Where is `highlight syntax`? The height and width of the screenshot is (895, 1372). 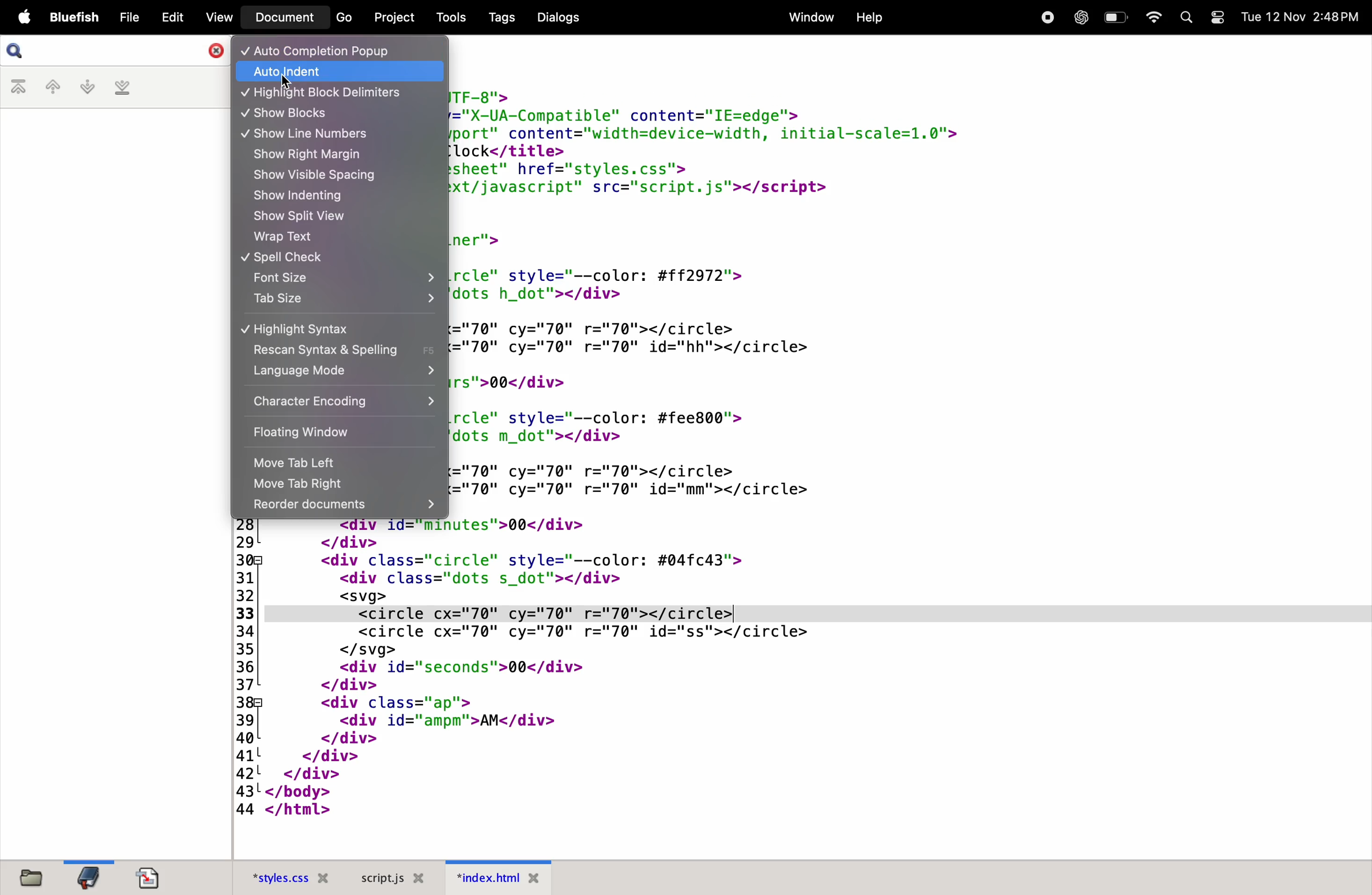 highlight syntax is located at coordinates (340, 329).